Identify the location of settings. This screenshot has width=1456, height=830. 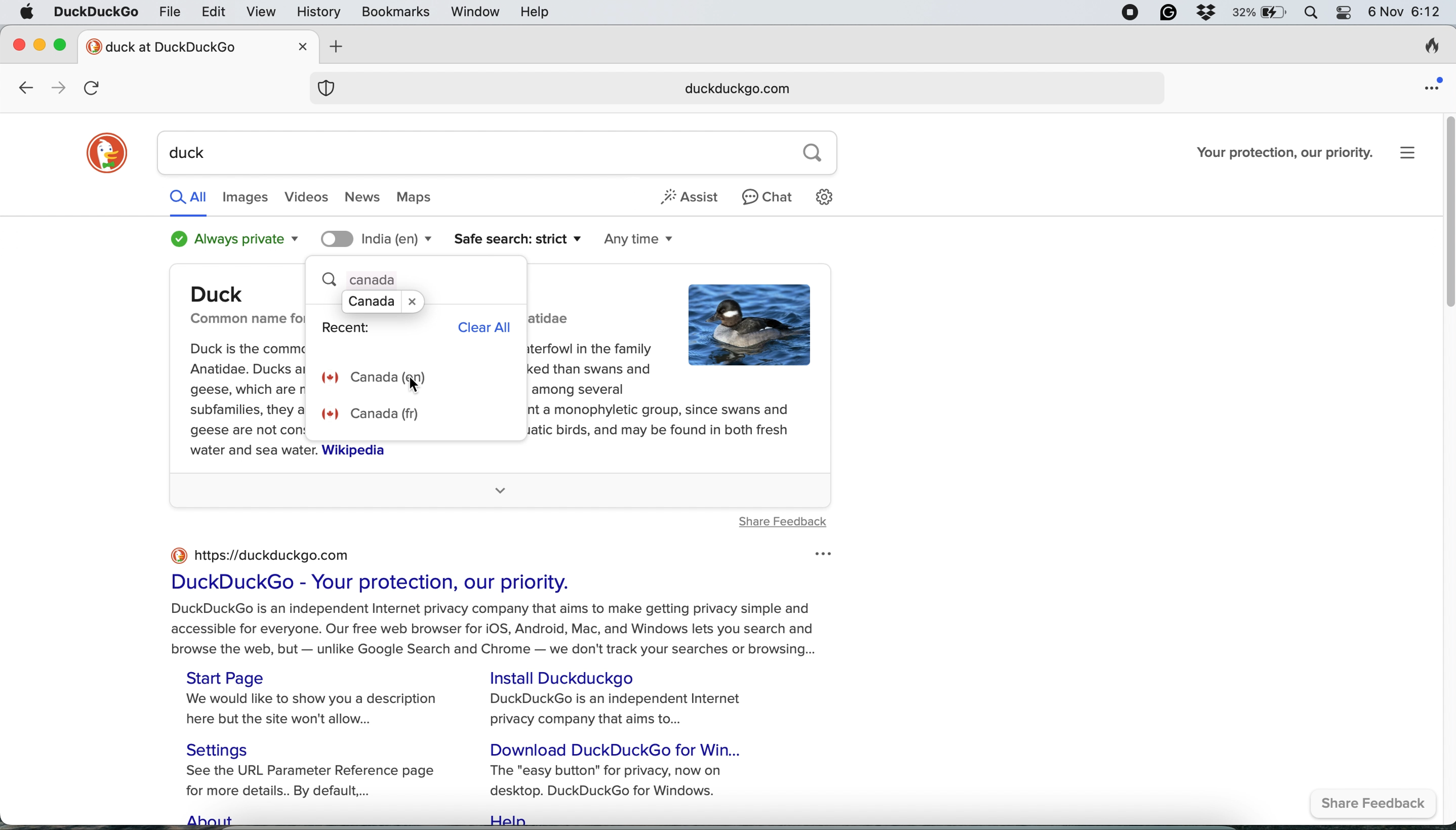
(829, 197).